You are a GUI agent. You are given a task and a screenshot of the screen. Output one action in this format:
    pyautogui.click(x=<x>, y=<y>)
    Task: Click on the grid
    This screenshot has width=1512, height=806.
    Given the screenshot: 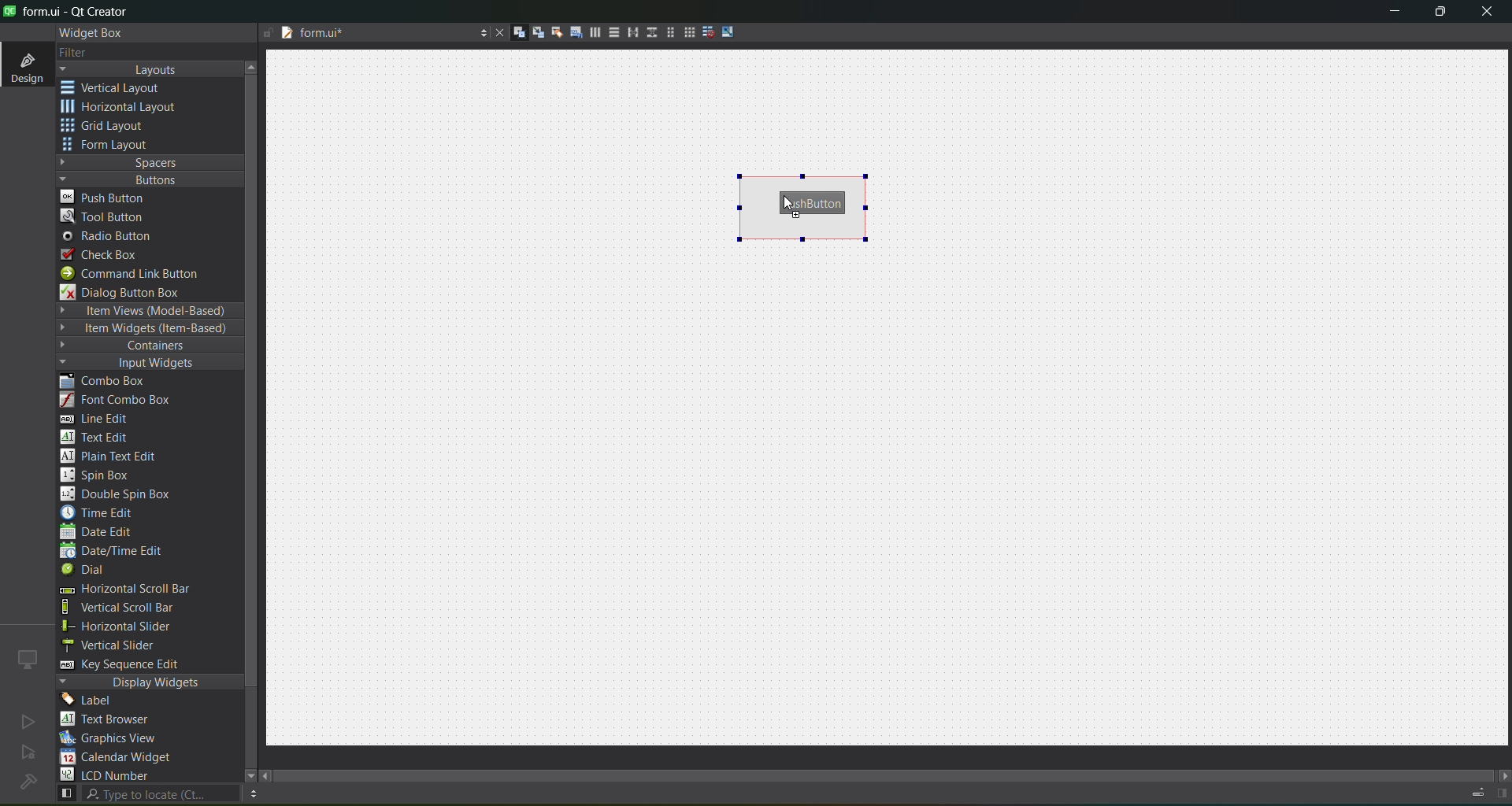 What is the action you would take?
    pyautogui.click(x=113, y=128)
    